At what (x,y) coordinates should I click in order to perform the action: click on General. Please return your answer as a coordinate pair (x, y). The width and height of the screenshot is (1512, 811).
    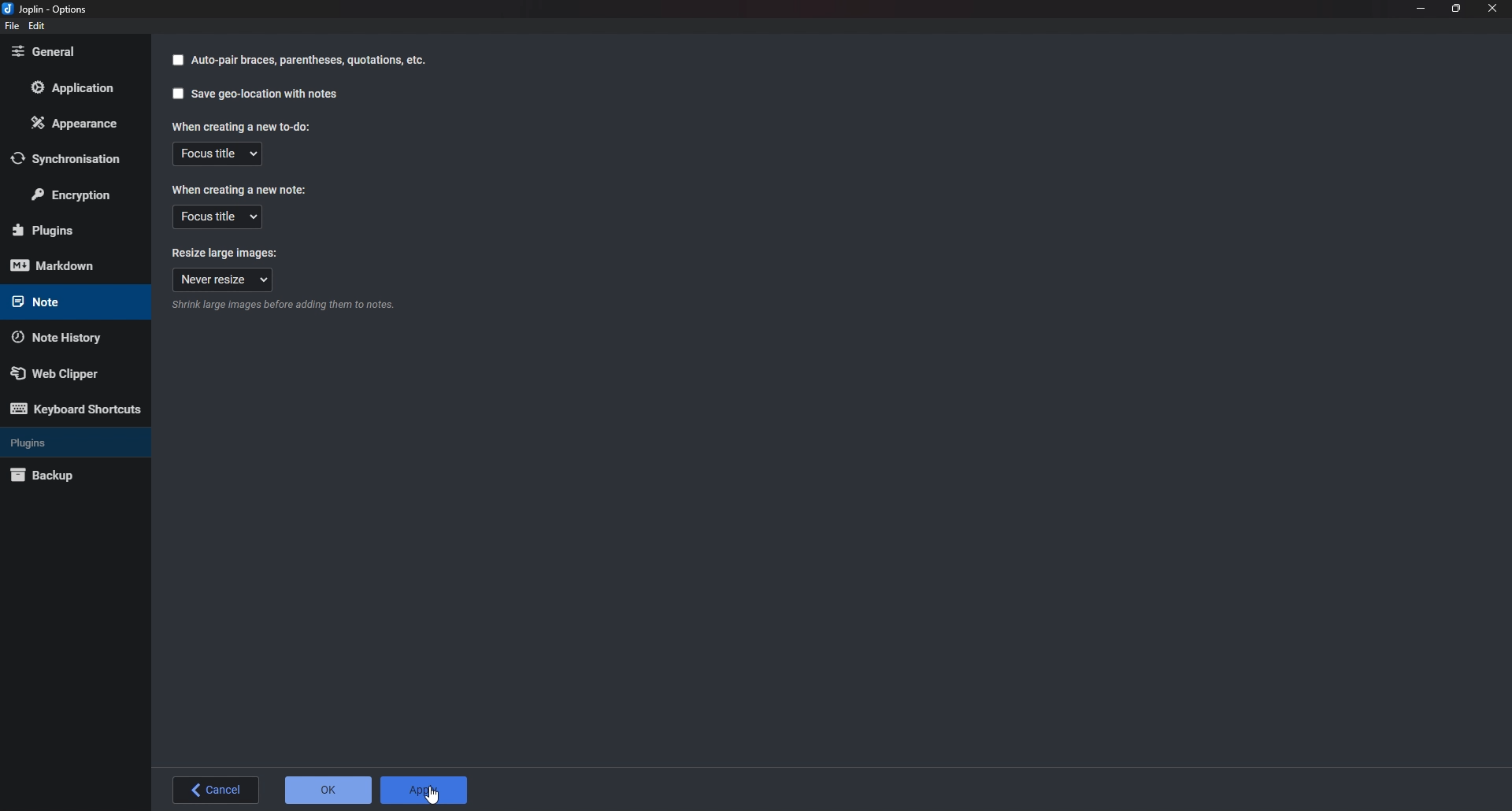
    Looking at the image, I should click on (71, 53).